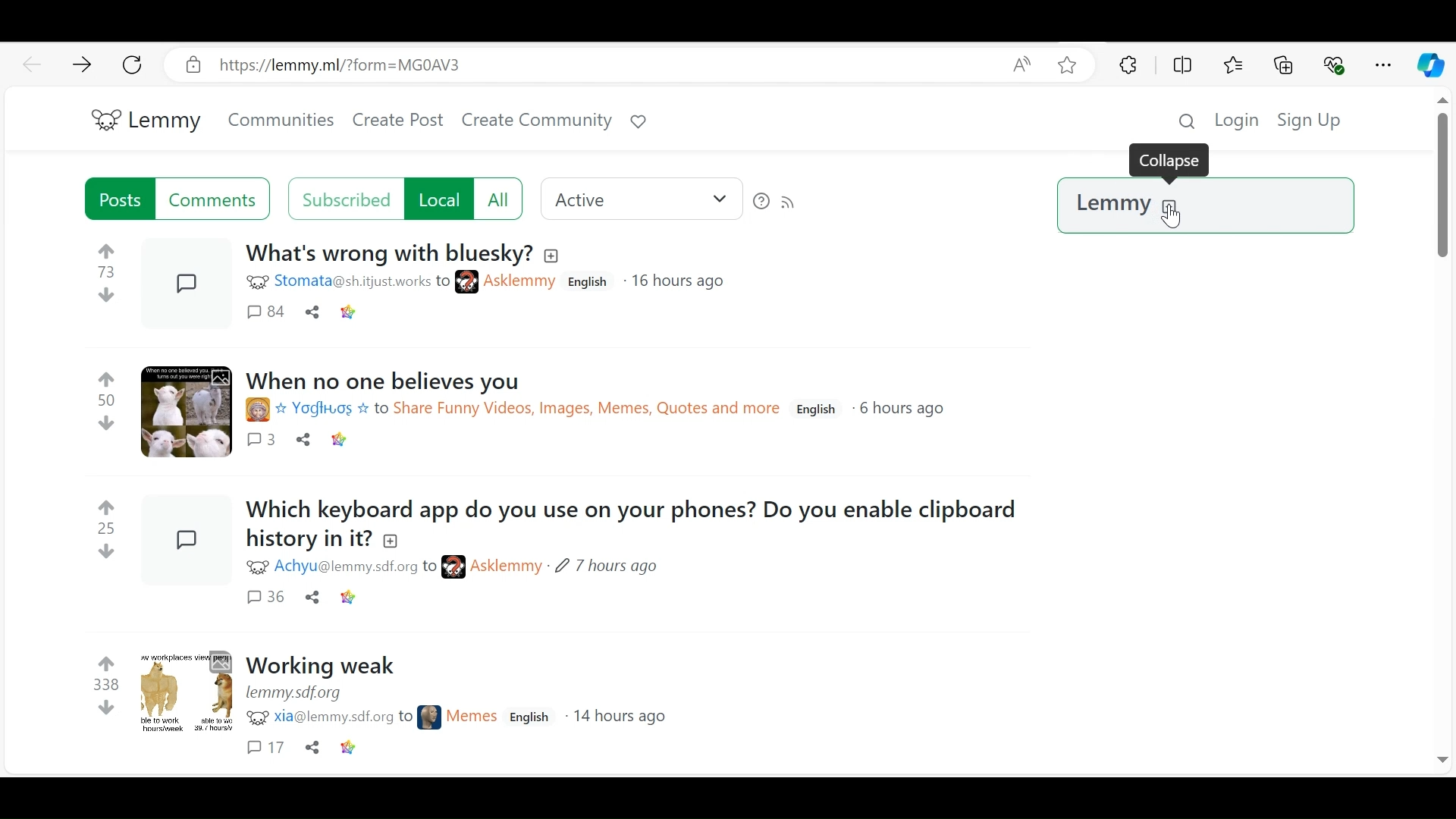  What do you see at coordinates (1335, 64) in the screenshot?
I see `Browser essentials` at bounding box center [1335, 64].